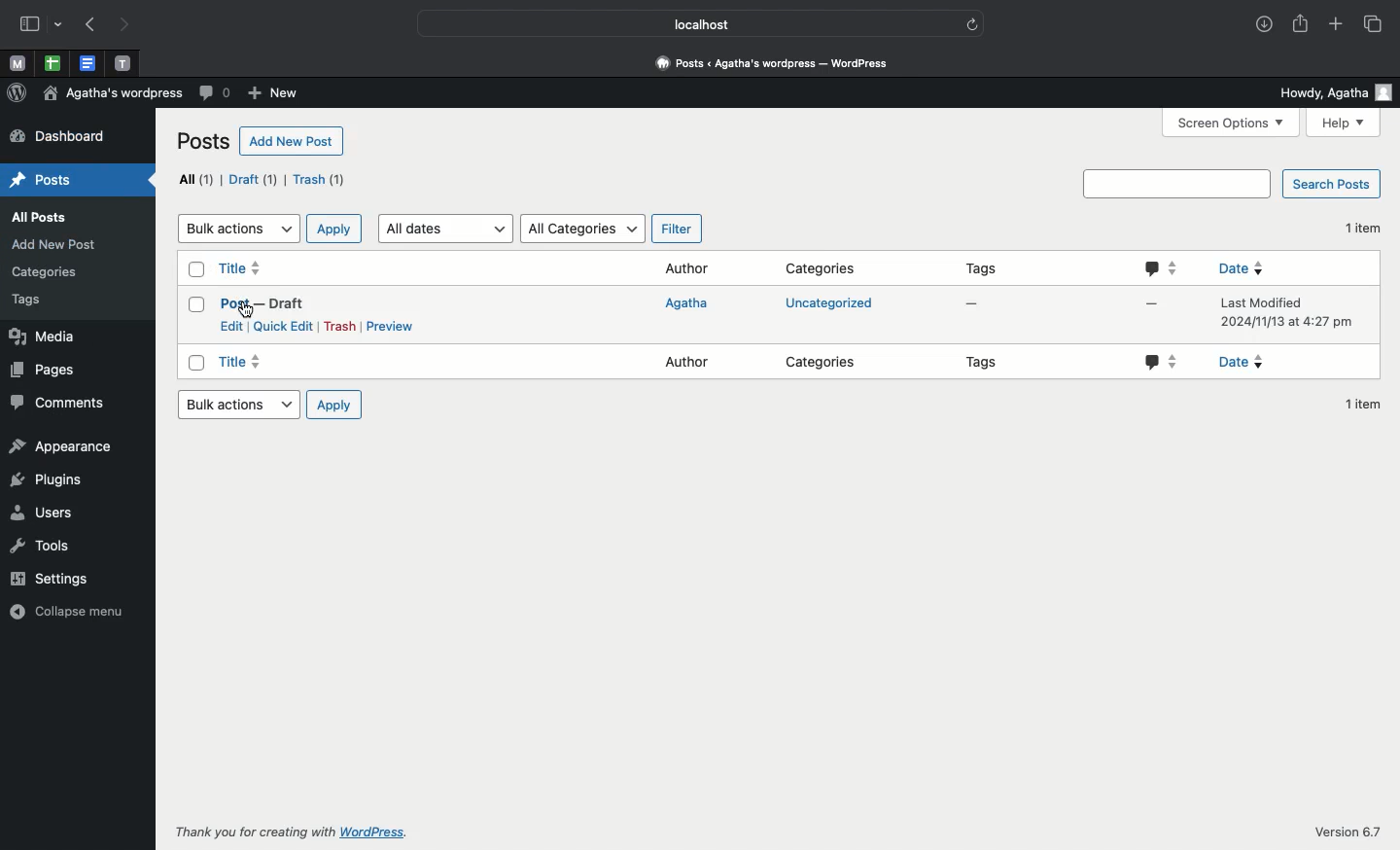  I want to click on Uncategorized, so click(825, 302).